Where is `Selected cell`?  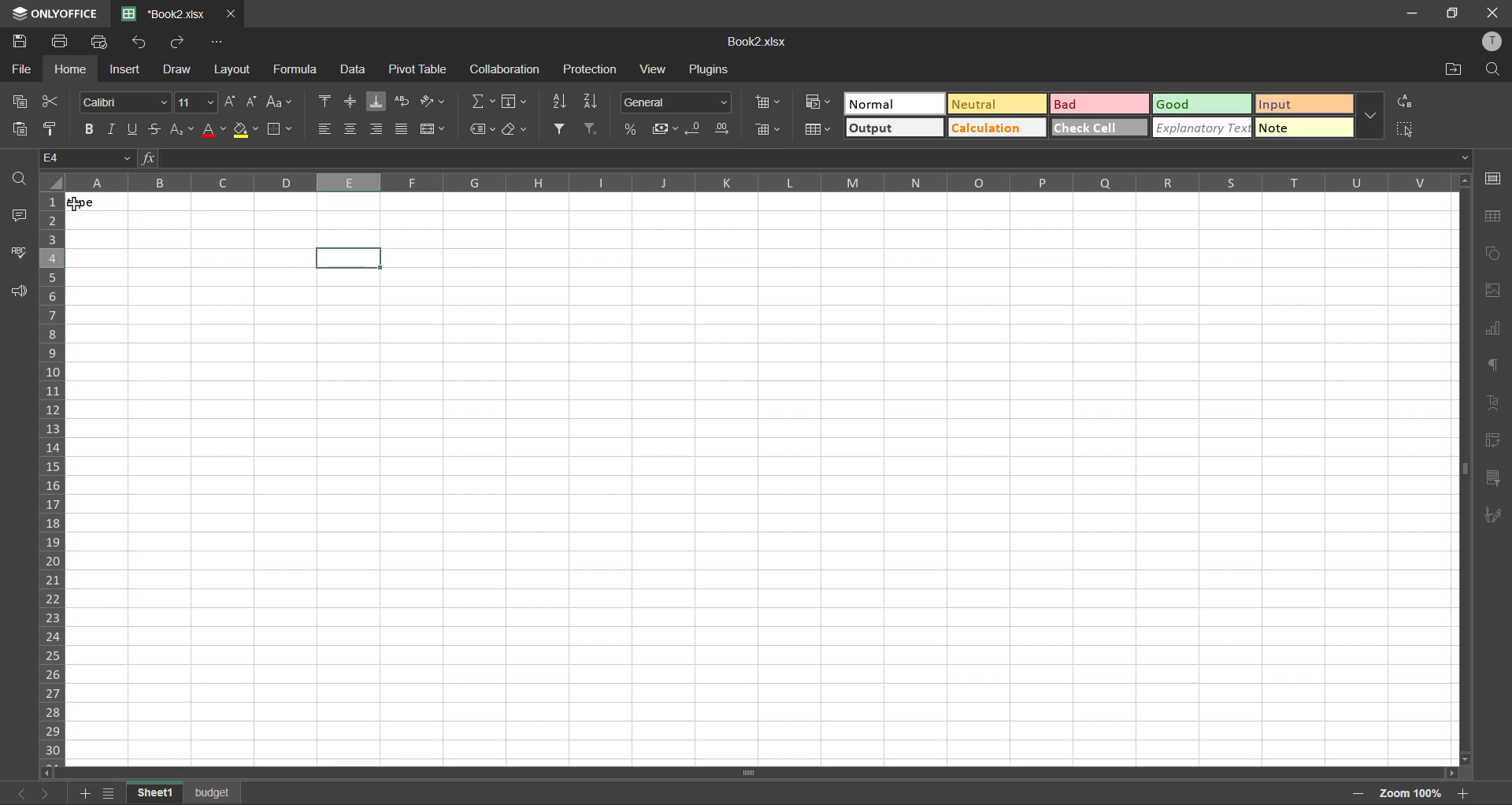
Selected cell is located at coordinates (350, 258).